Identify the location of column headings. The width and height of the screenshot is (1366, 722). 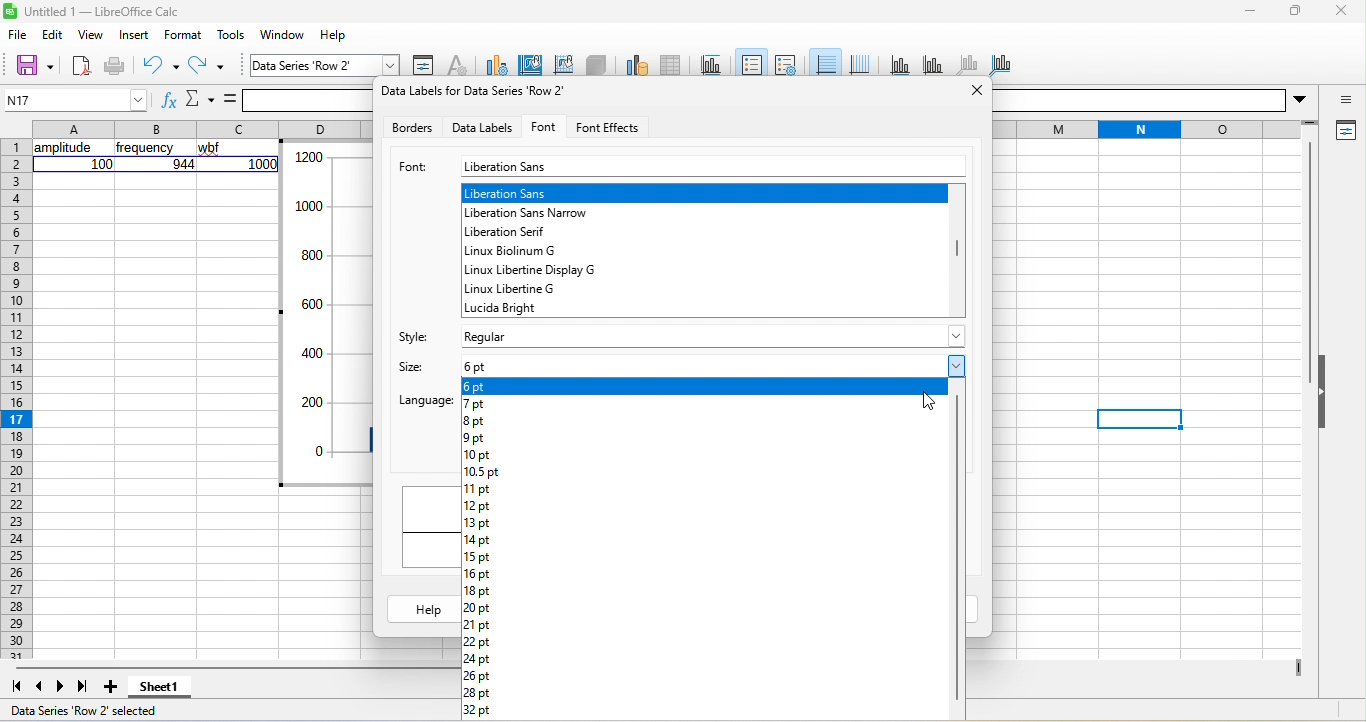
(199, 127).